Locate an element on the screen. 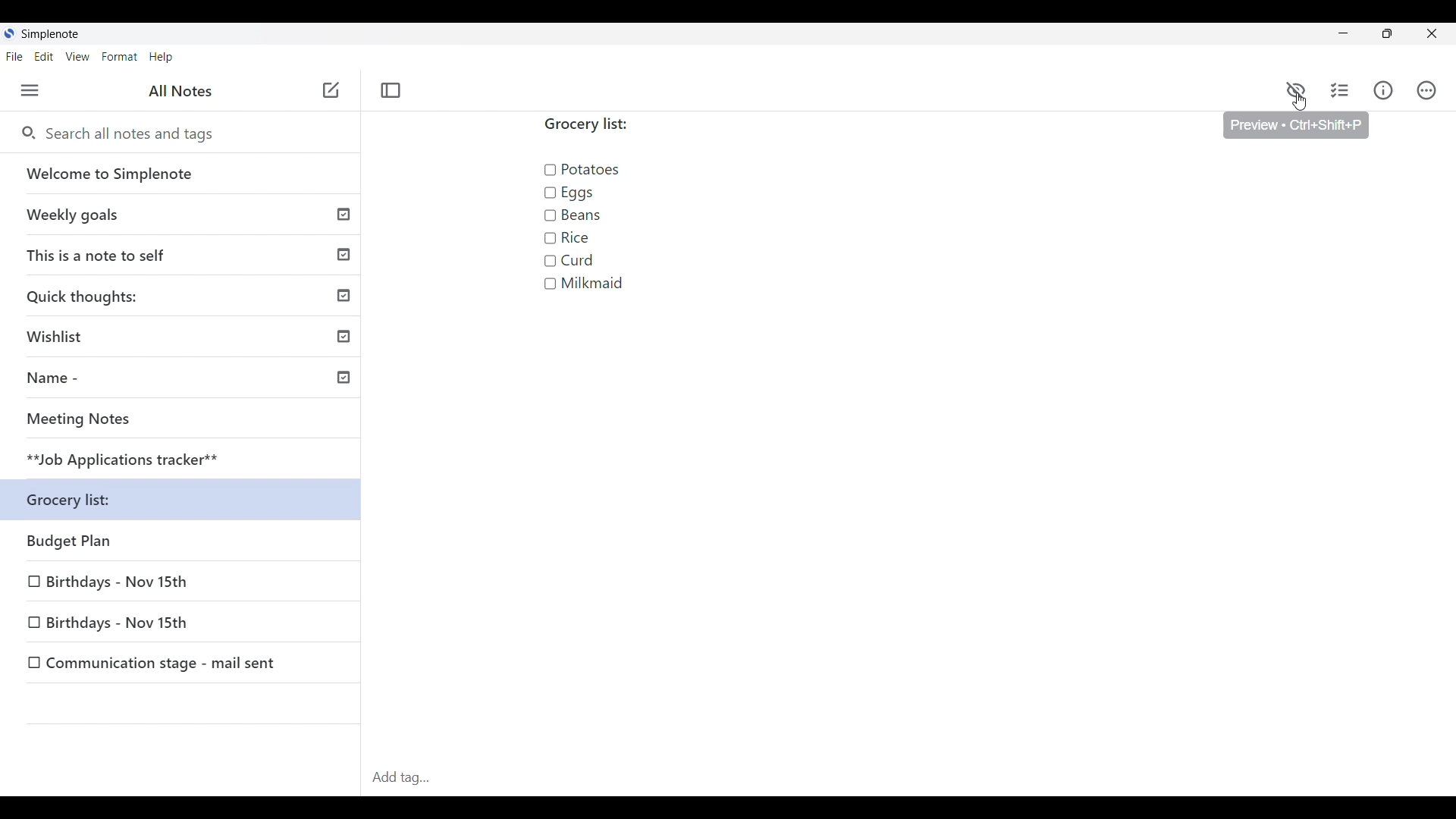 The image size is (1456, 819). This is a note to self is located at coordinates (186, 256).